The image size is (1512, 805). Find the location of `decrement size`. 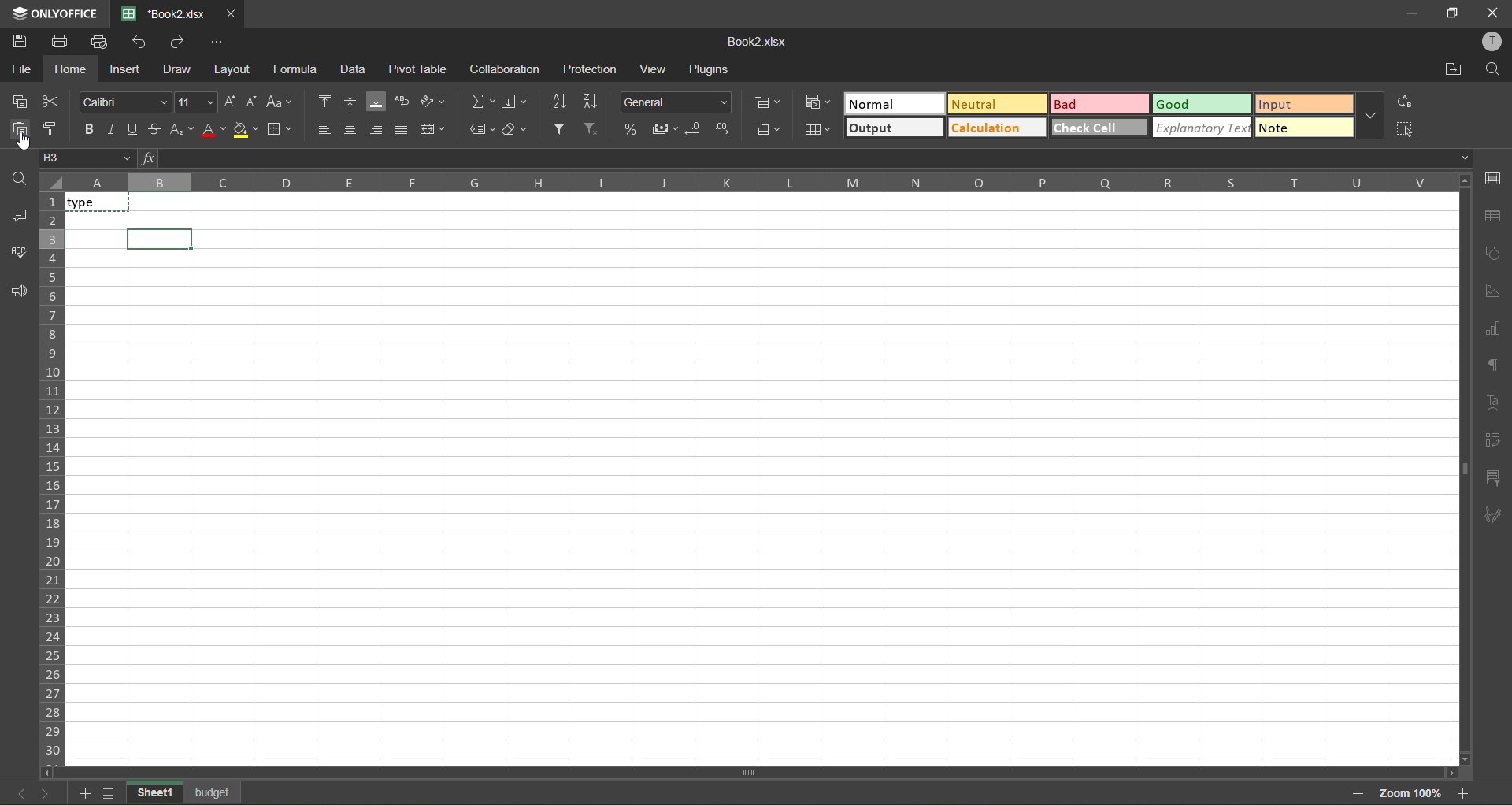

decrement size is located at coordinates (254, 102).